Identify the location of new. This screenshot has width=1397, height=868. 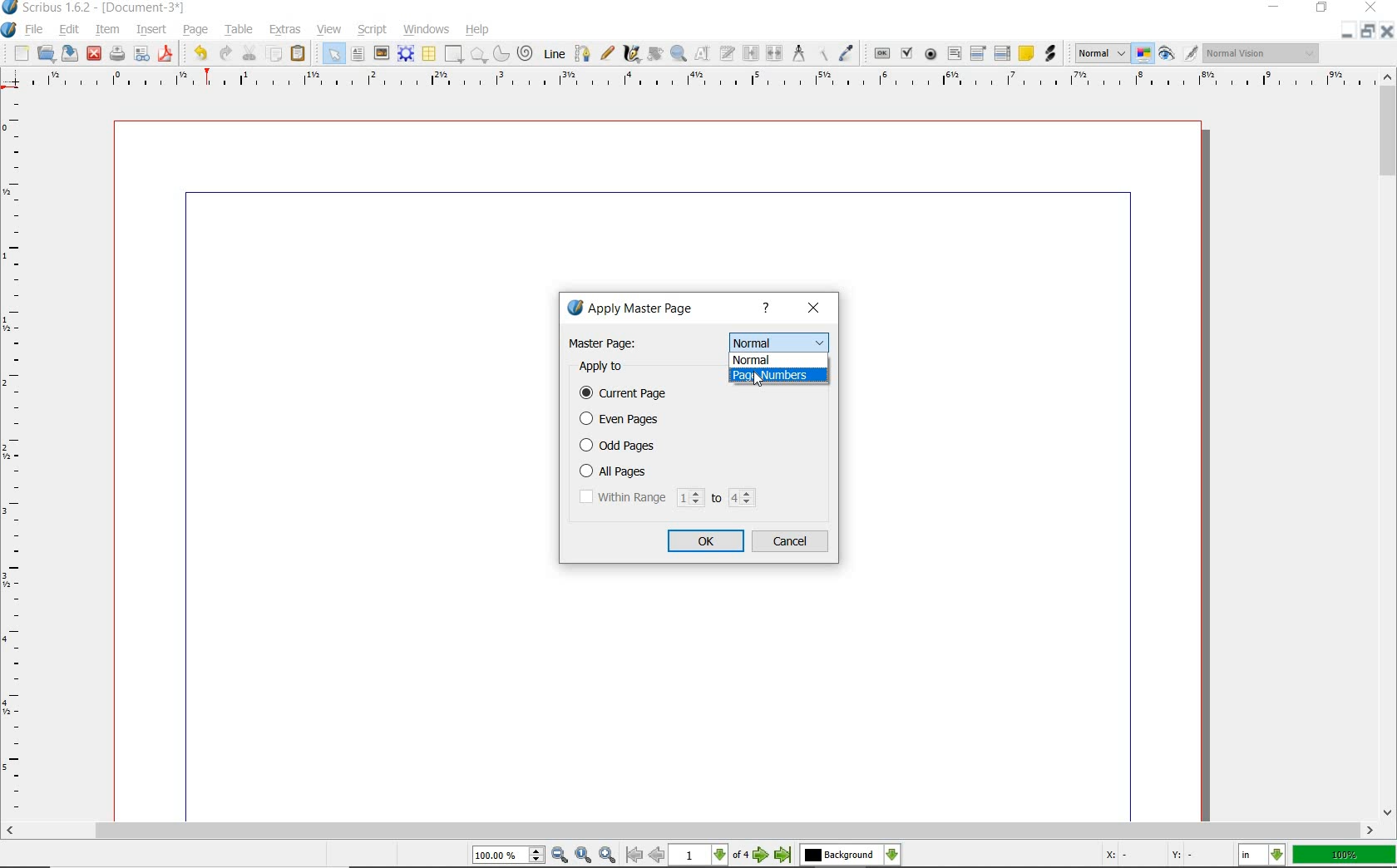
(20, 54).